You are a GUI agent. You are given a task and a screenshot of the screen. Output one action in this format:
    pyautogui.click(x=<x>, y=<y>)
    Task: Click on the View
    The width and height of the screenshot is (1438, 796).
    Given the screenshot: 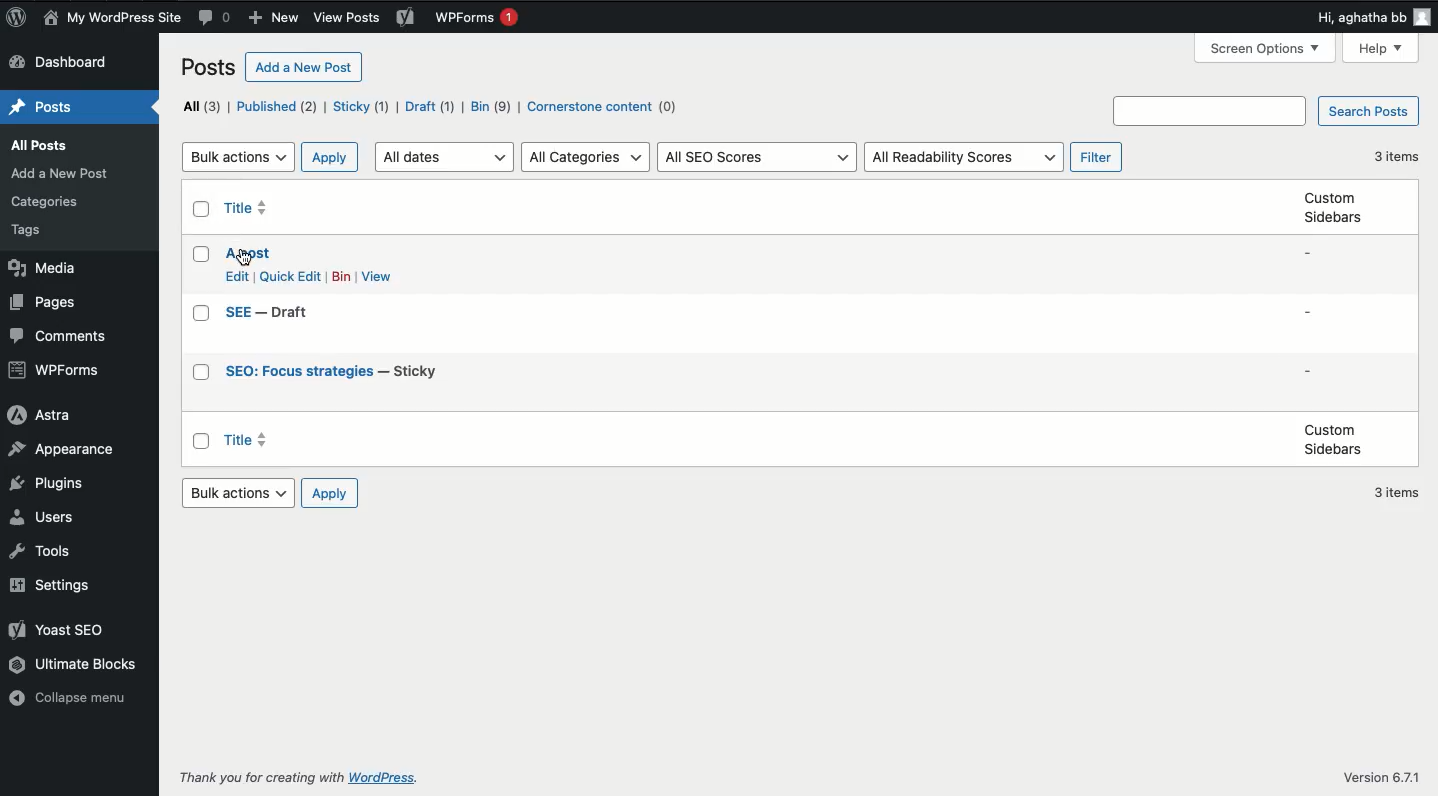 What is the action you would take?
    pyautogui.click(x=377, y=276)
    